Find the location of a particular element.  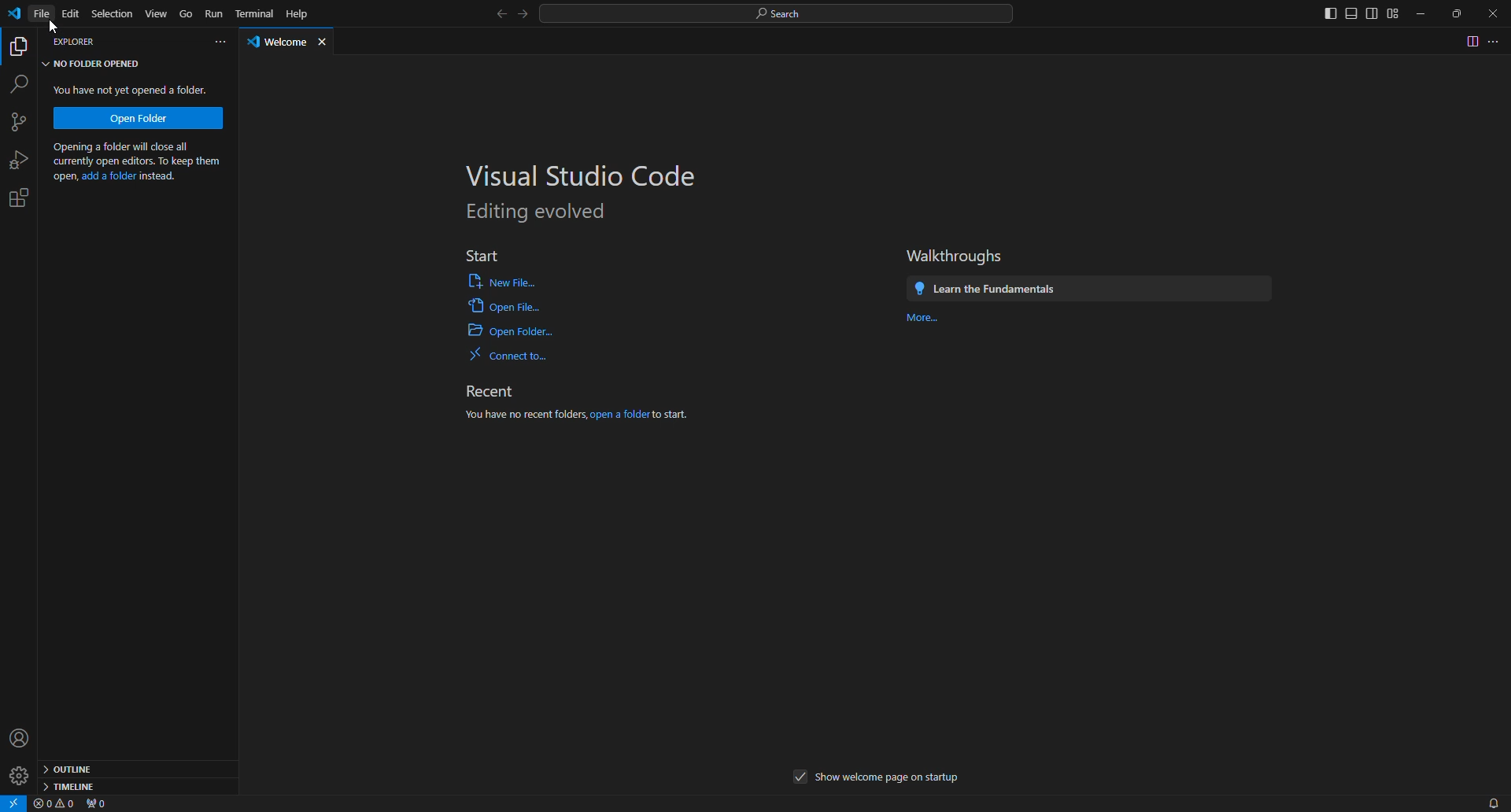

close is located at coordinates (325, 43).